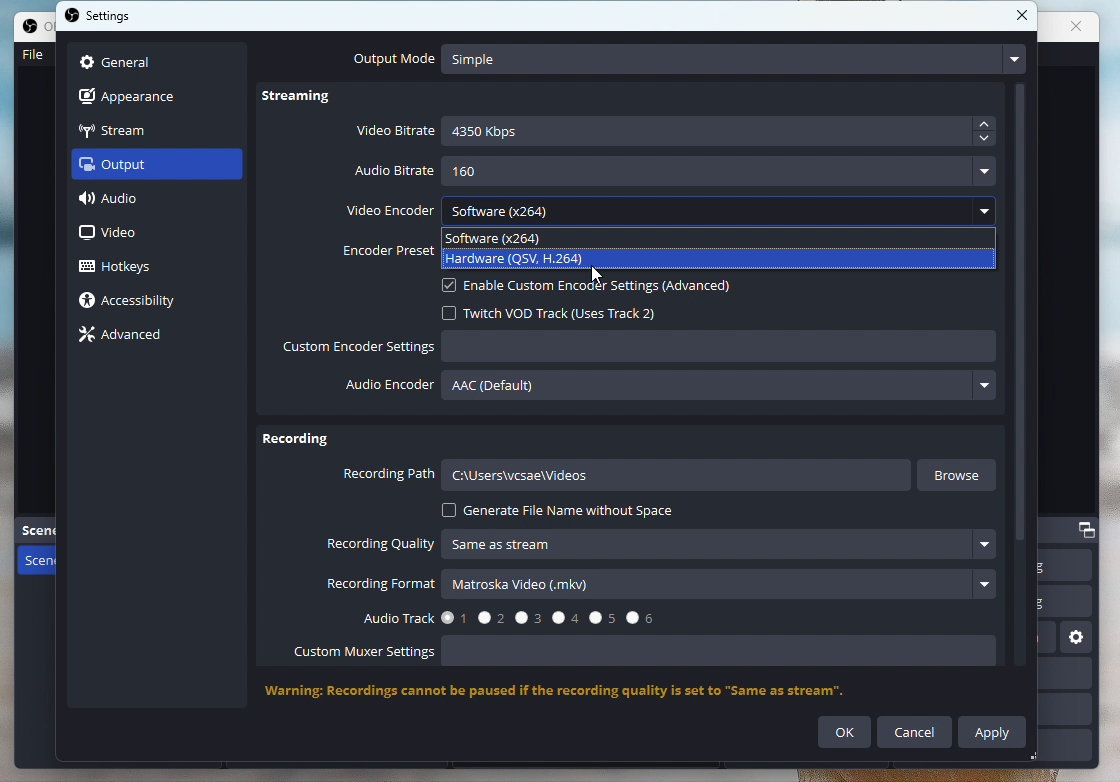  I want to click on Audio Track, so click(502, 616).